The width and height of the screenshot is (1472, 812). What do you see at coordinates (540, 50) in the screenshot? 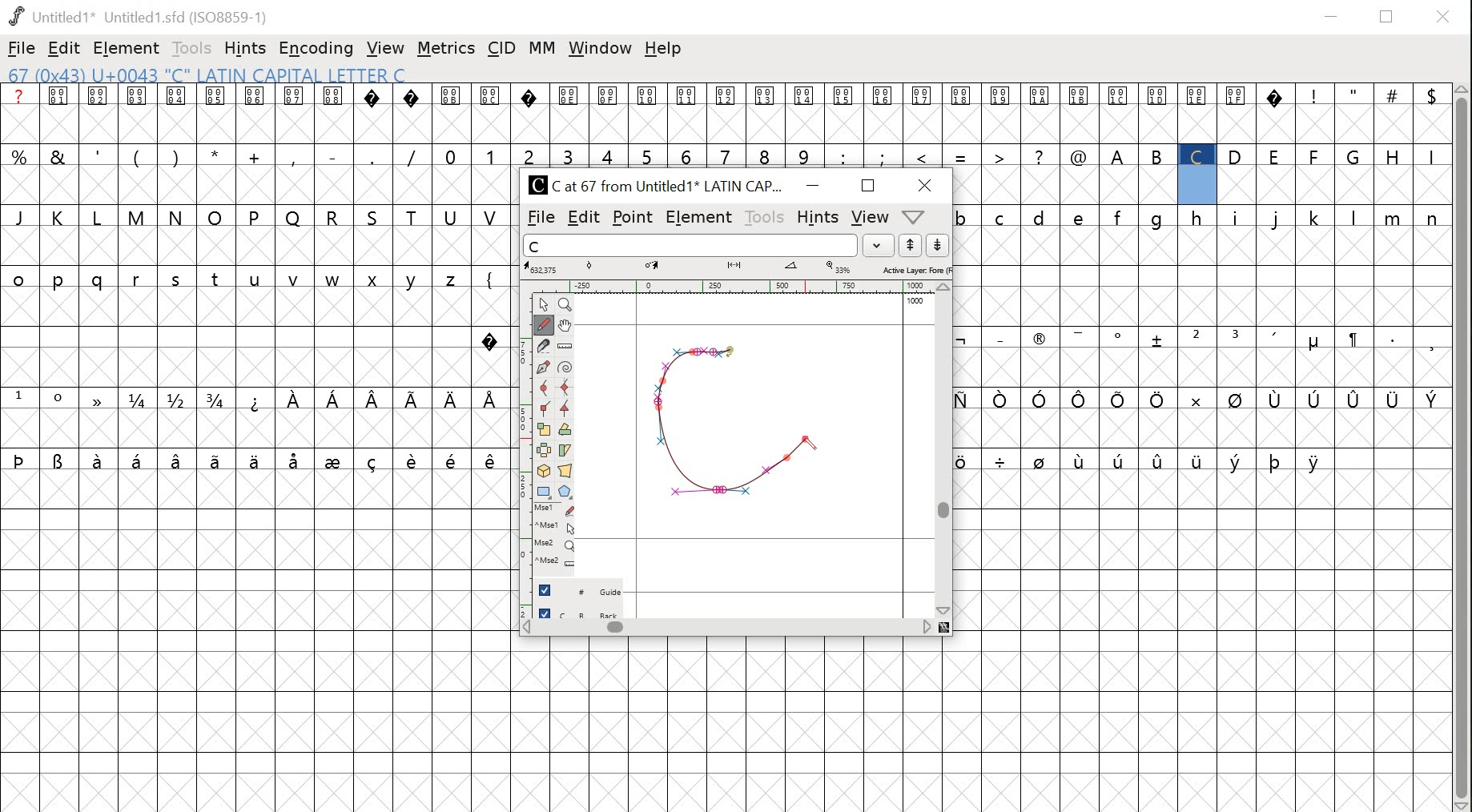
I see `mm` at bounding box center [540, 50].